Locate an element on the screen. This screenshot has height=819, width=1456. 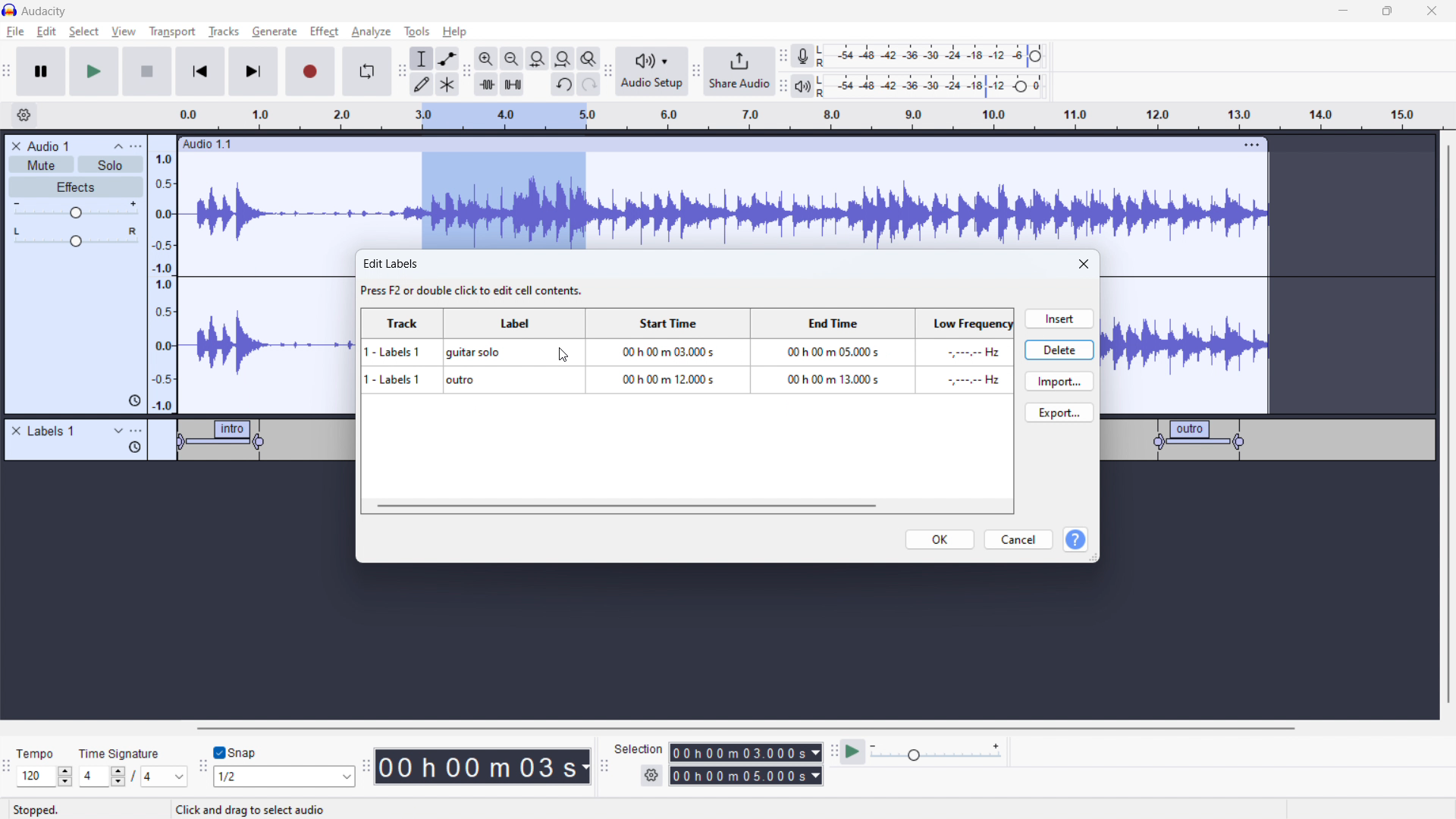
recording meter toolbar is located at coordinates (783, 58).